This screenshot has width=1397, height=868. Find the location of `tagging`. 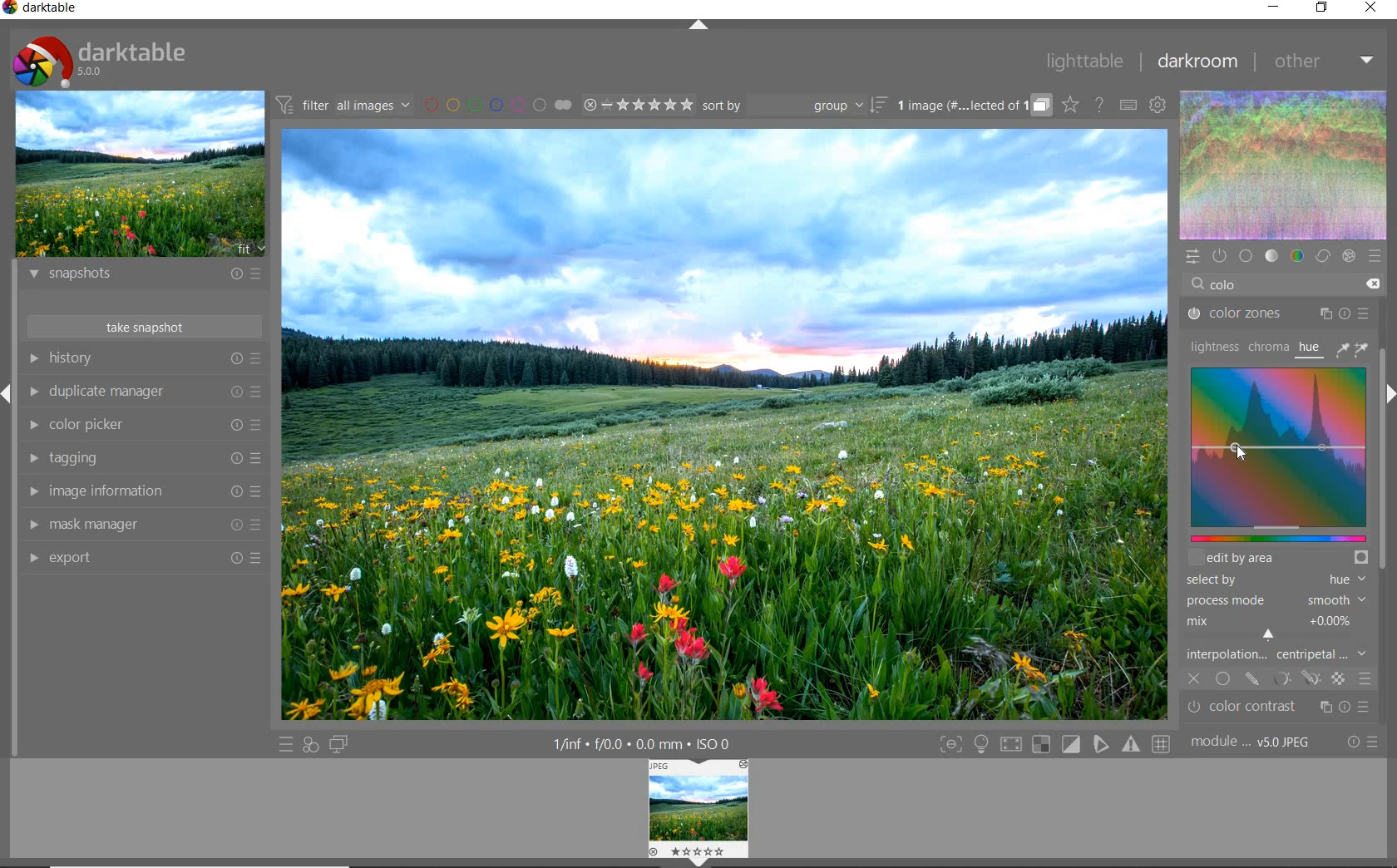

tagging is located at coordinates (142, 459).